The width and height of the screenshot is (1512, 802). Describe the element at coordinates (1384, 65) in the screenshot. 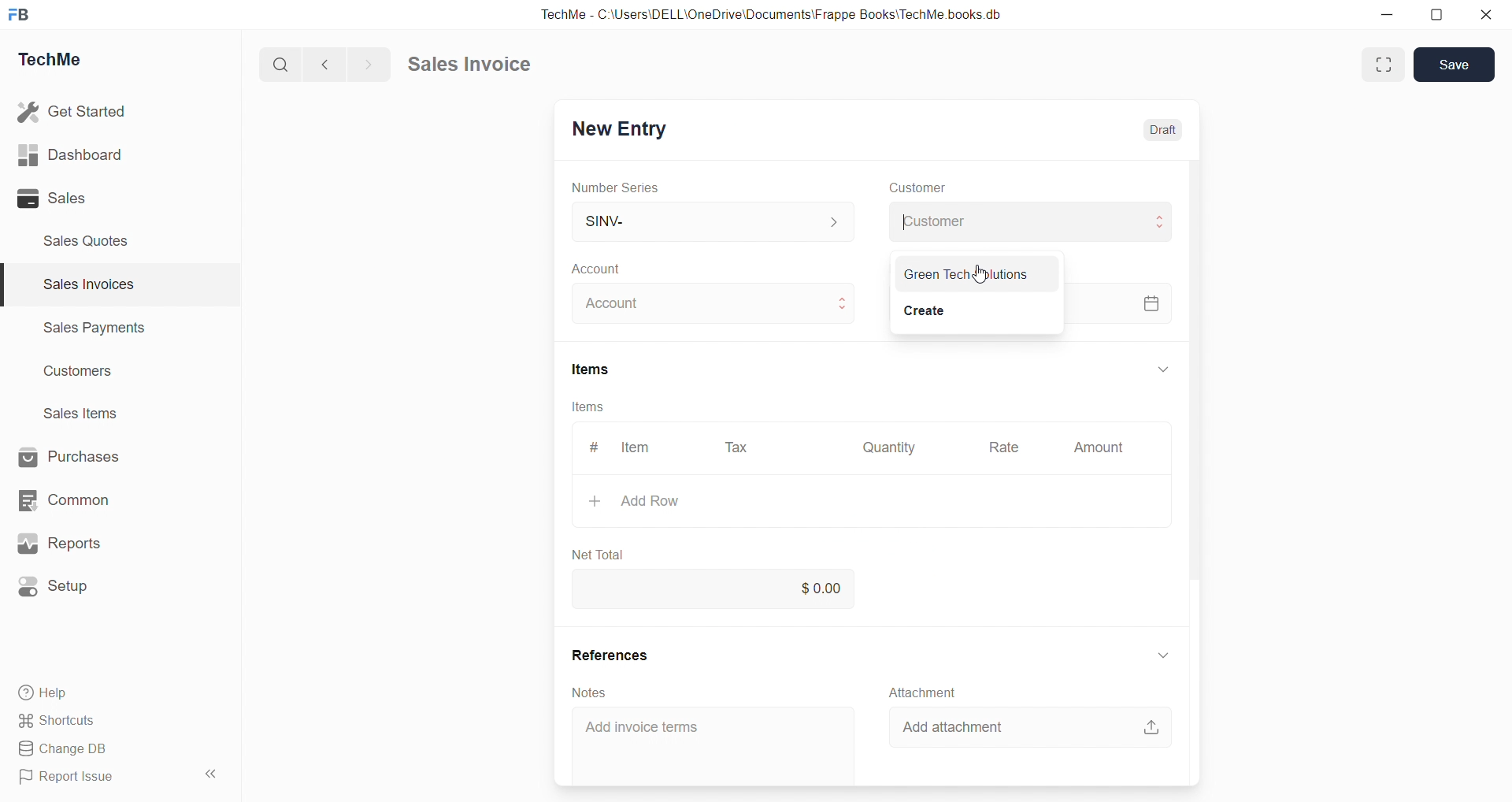

I see `enlarge` at that location.